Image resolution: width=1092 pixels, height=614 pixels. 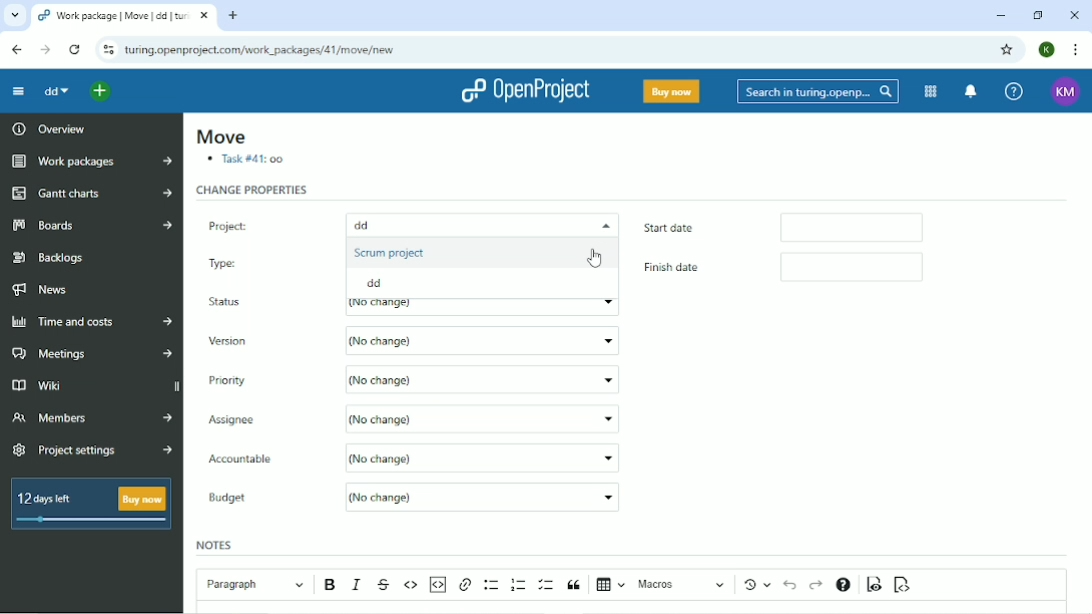 What do you see at coordinates (519, 584) in the screenshot?
I see `Numbered list` at bounding box center [519, 584].